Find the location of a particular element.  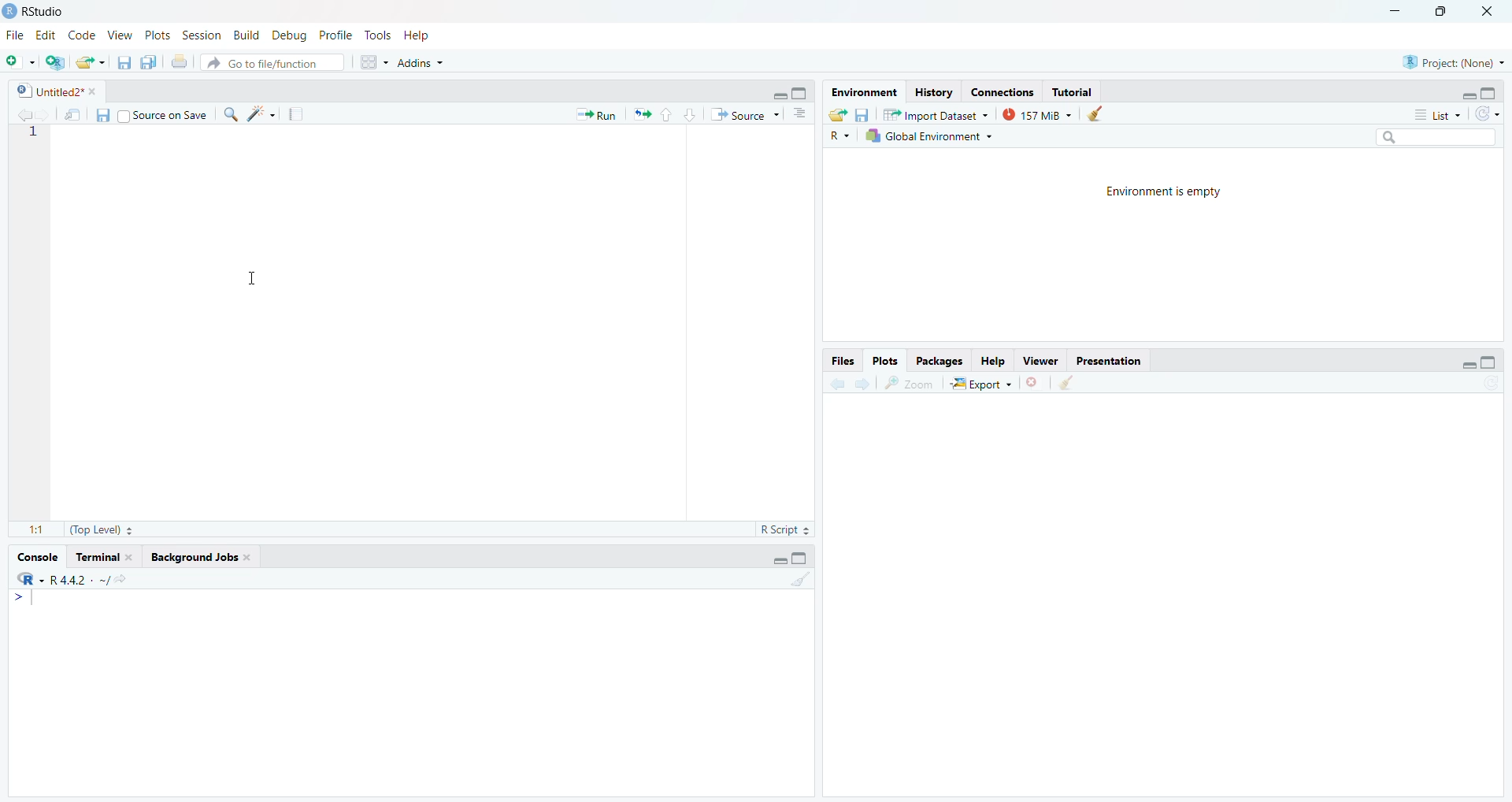

Plots is located at coordinates (885, 359).